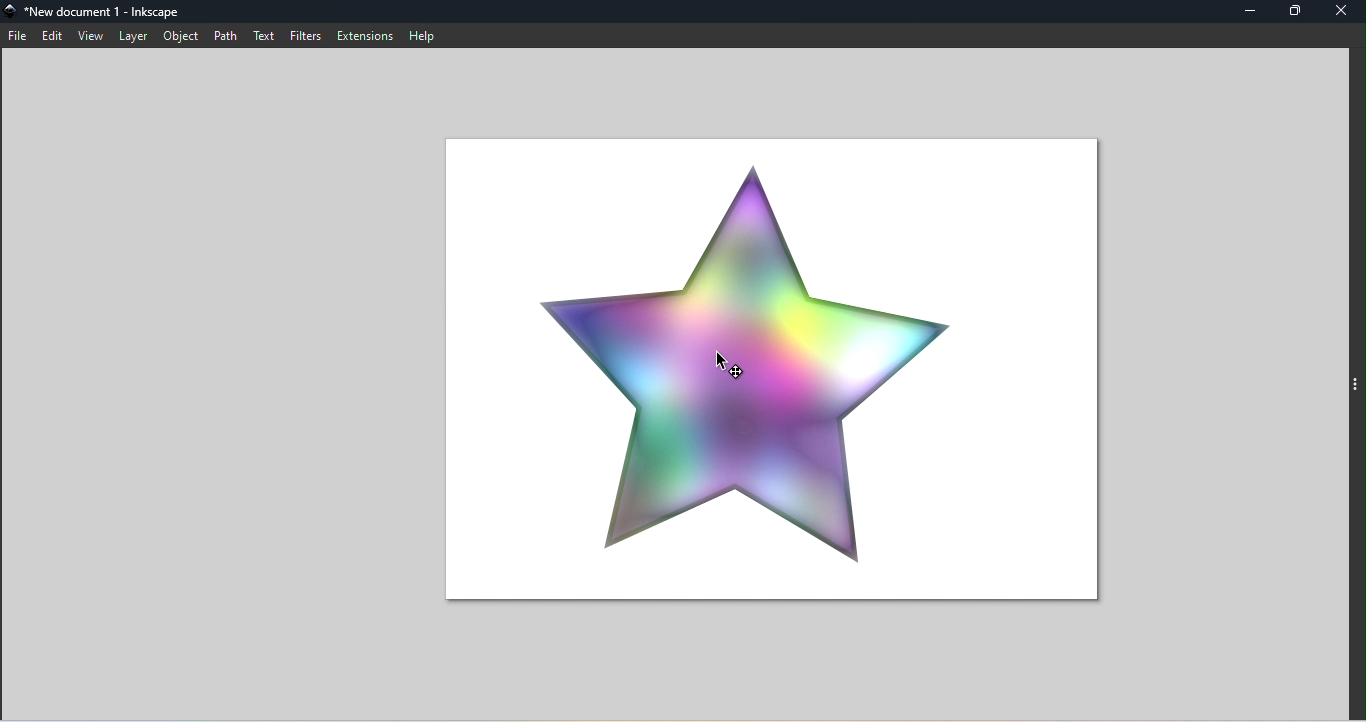 The image size is (1366, 722). Describe the element at coordinates (261, 36) in the screenshot. I see `Text` at that location.